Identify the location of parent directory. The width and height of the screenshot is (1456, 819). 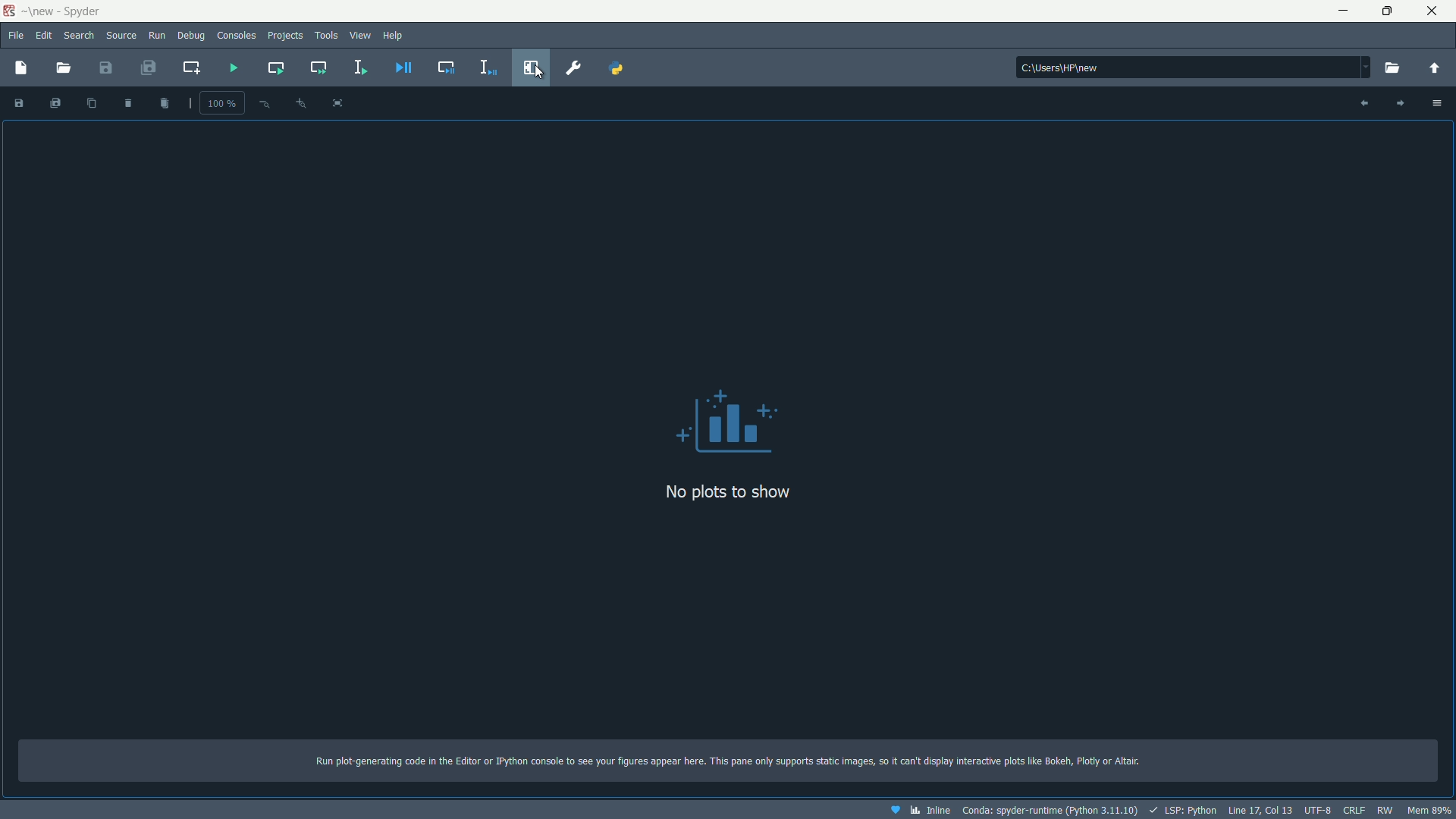
(1436, 68).